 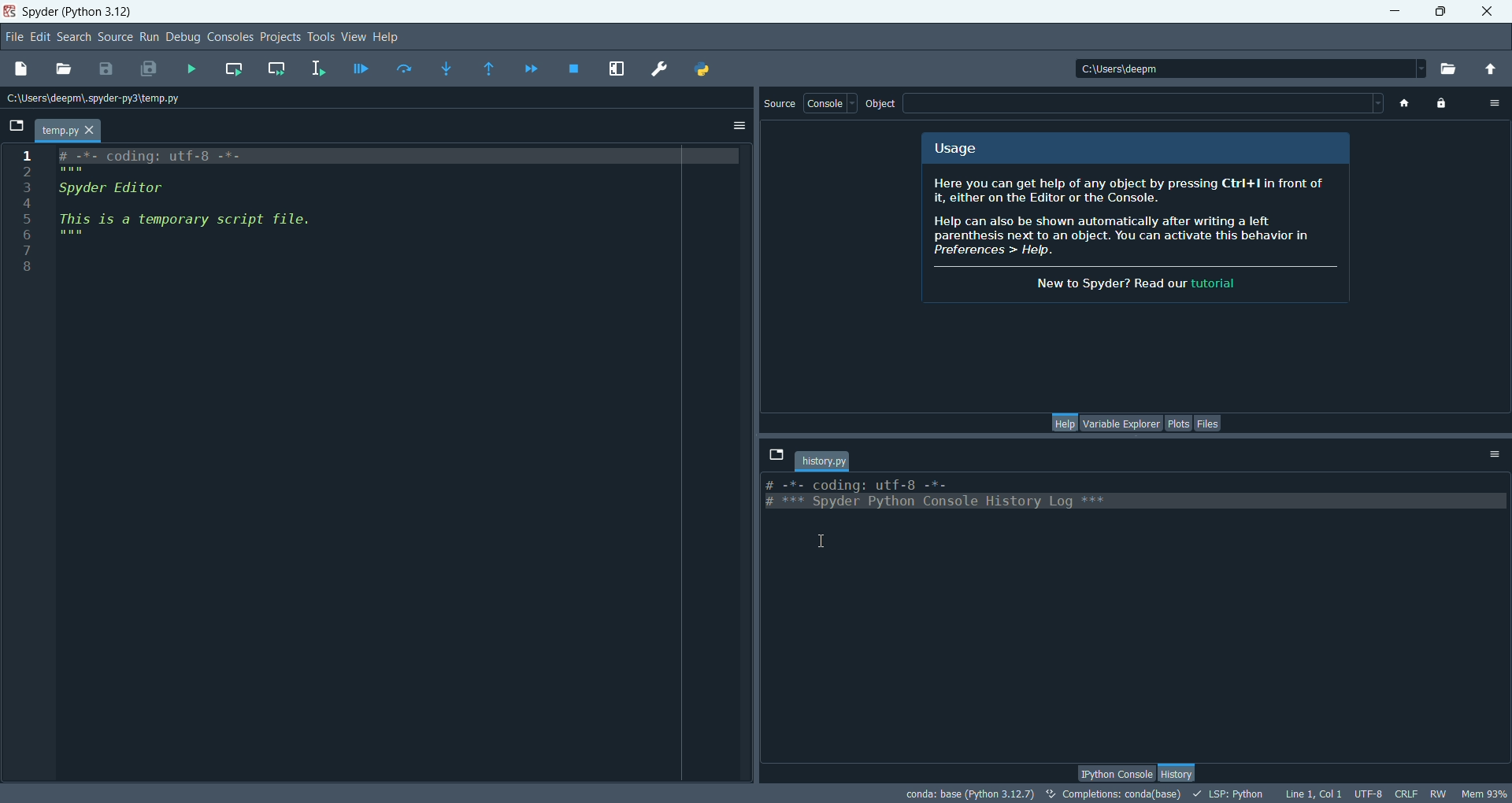 What do you see at coordinates (404, 69) in the screenshot?
I see `run current line` at bounding box center [404, 69].